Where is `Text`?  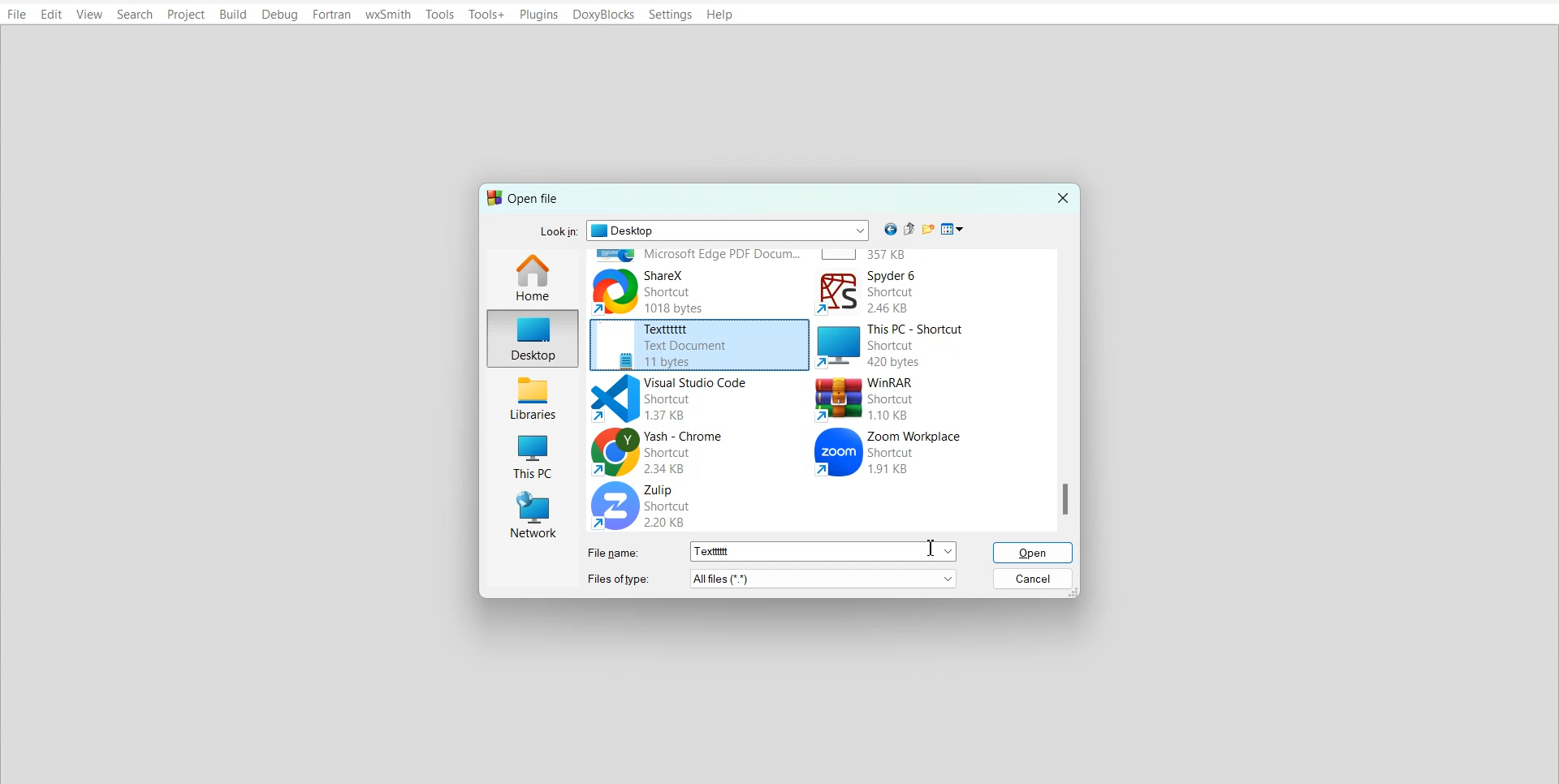
Text is located at coordinates (525, 198).